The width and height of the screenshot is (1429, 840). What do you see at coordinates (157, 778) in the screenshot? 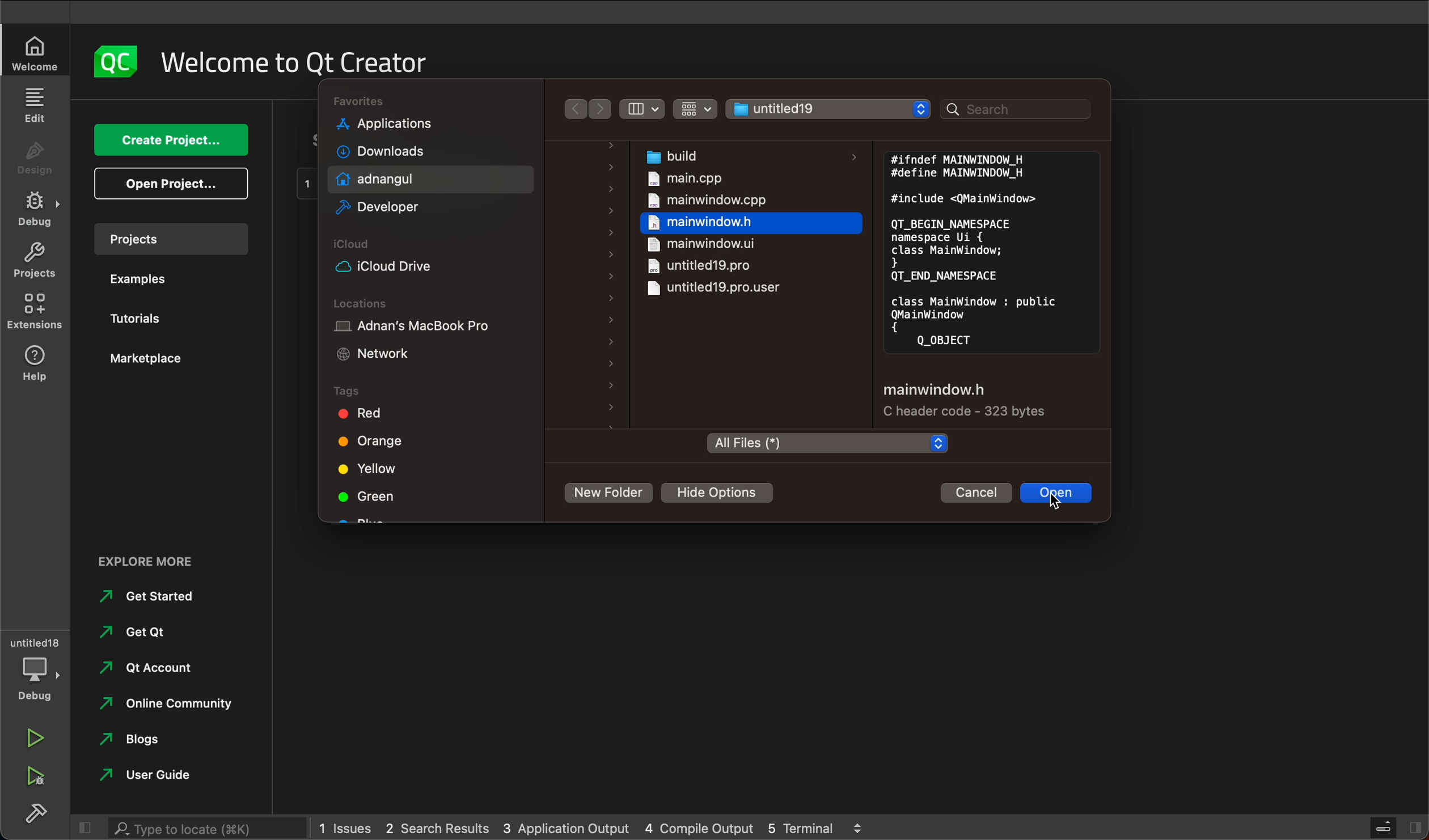
I see `user guide` at bounding box center [157, 778].